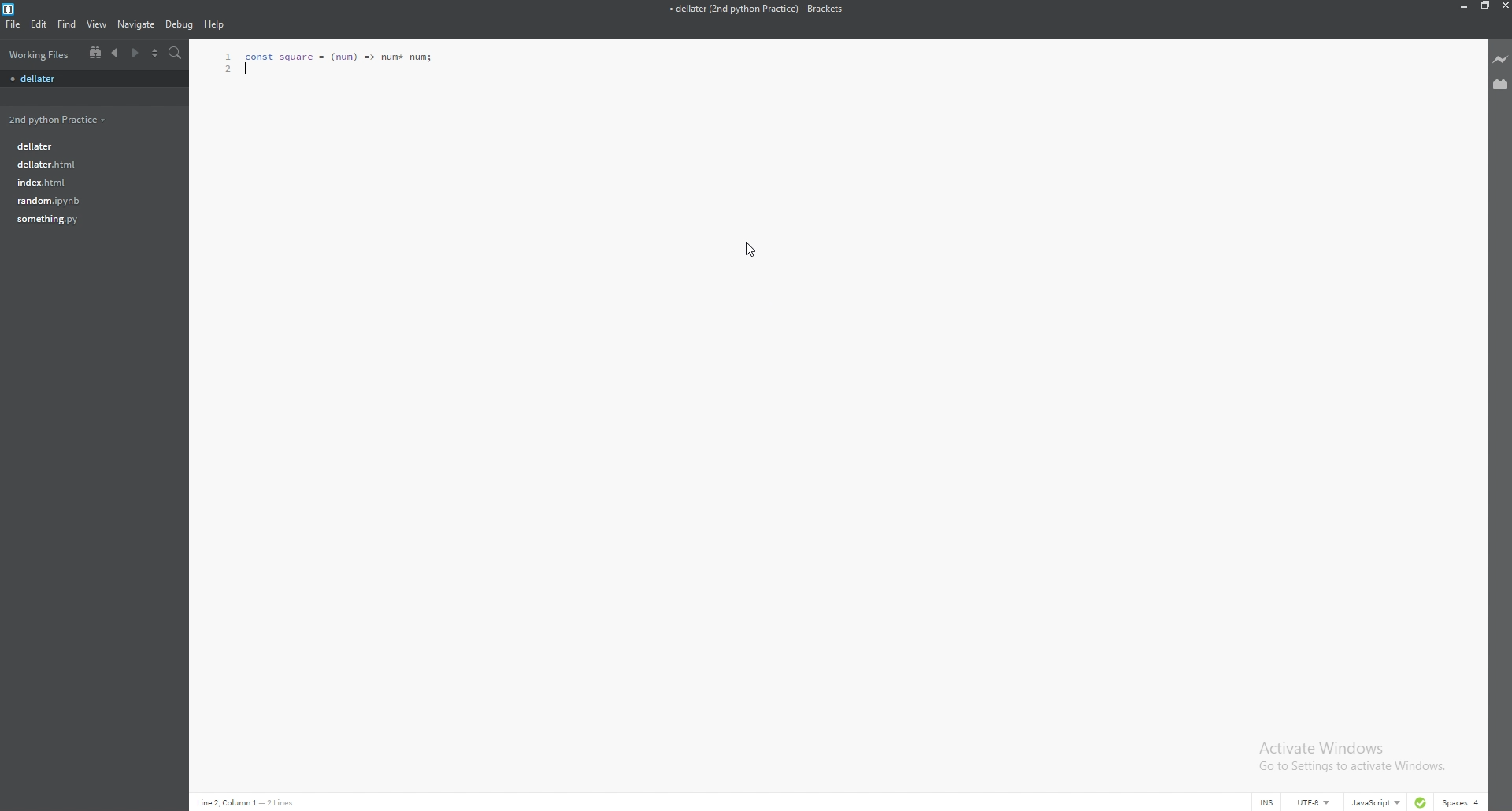  What do you see at coordinates (1350, 756) in the screenshot?
I see `Activate Windows
Go to Settings to activate Windows.` at bounding box center [1350, 756].